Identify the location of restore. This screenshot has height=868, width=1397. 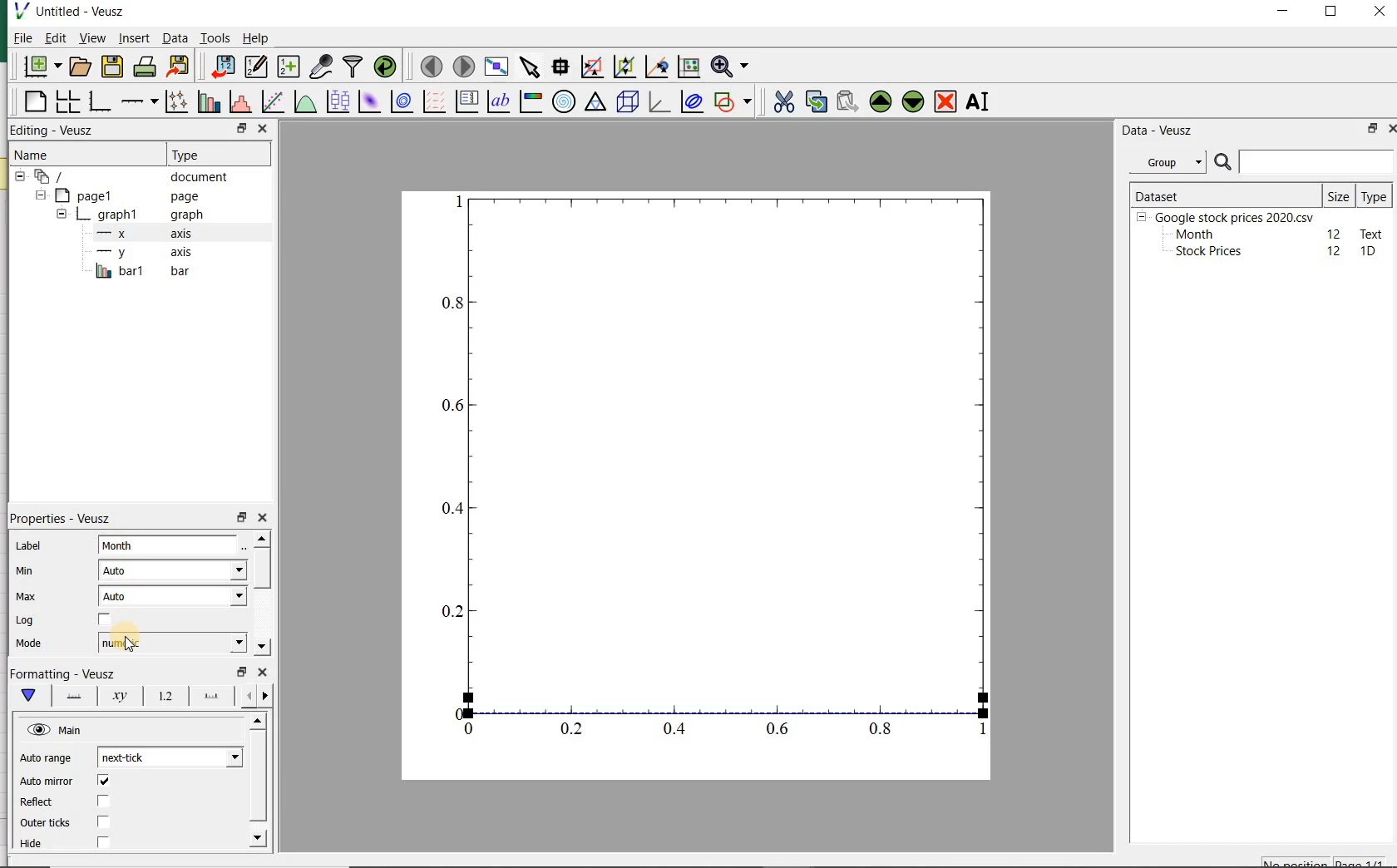
(1370, 130).